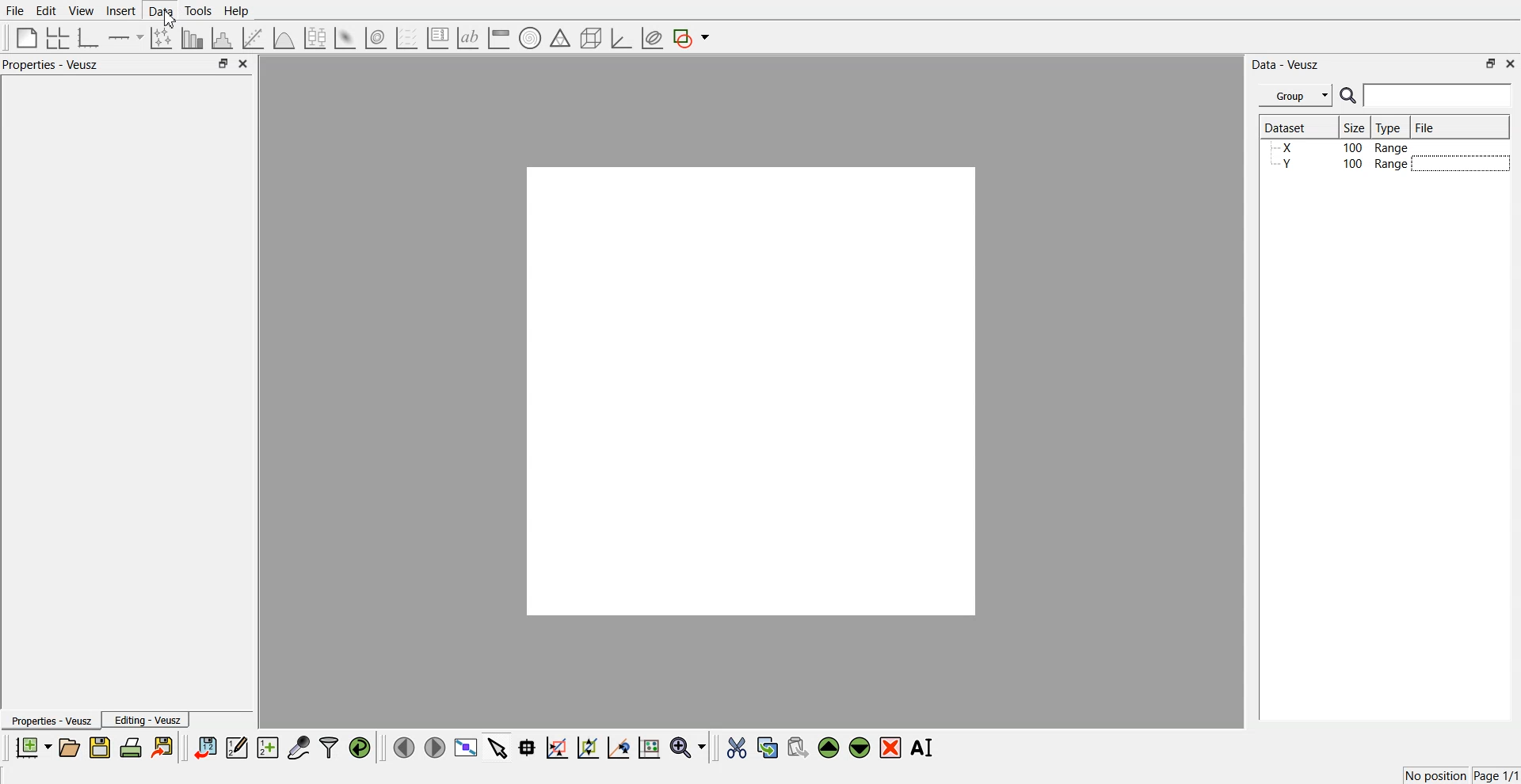 Image resolution: width=1521 pixels, height=784 pixels. I want to click on Maximize, so click(223, 63).